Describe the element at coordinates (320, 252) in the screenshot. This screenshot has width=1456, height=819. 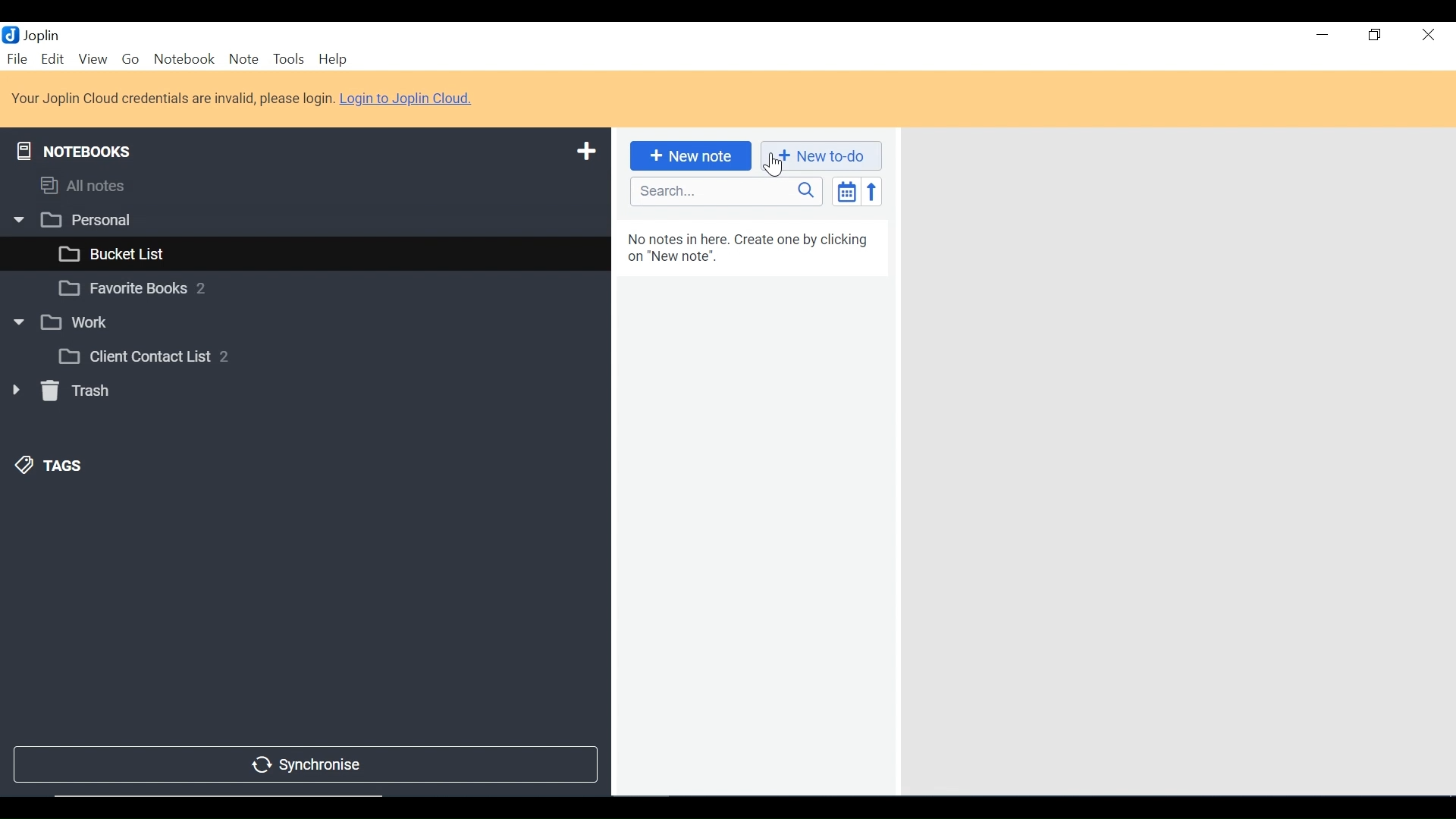
I see `Notebook` at that location.